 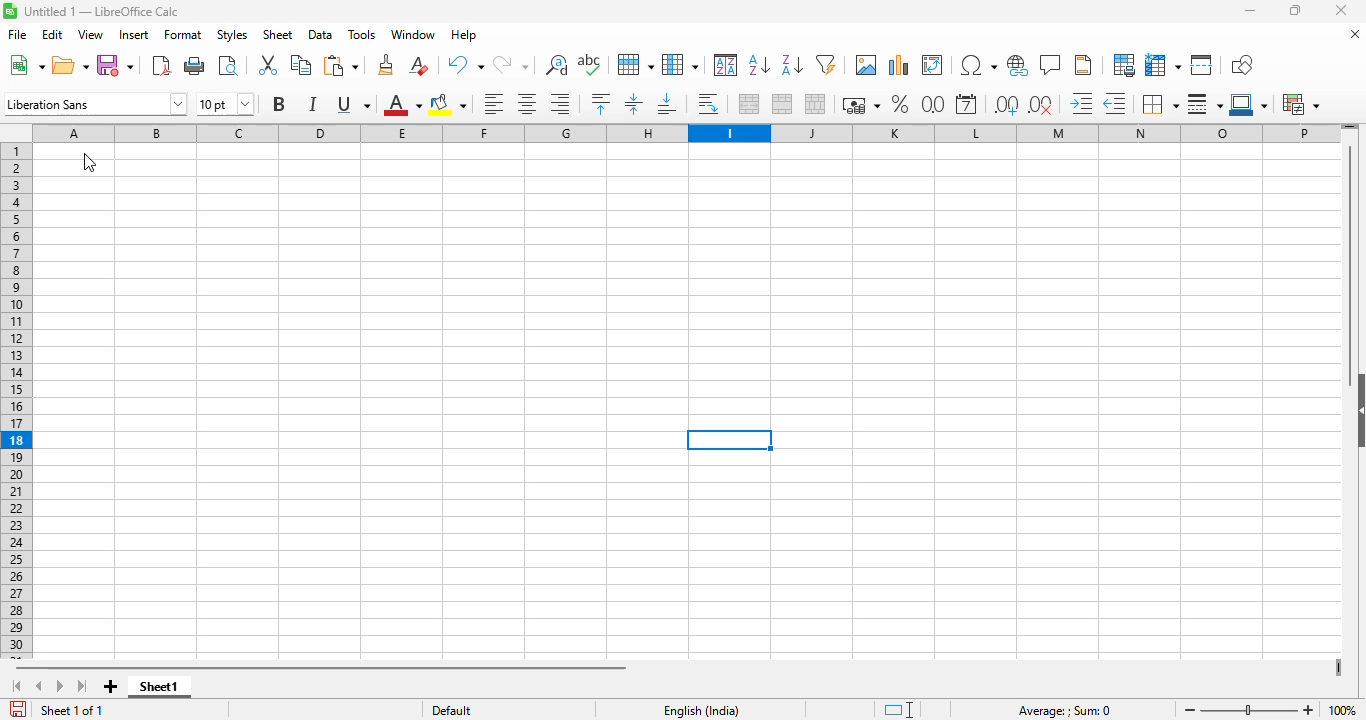 What do you see at coordinates (159, 687) in the screenshot?
I see `sheet1` at bounding box center [159, 687].